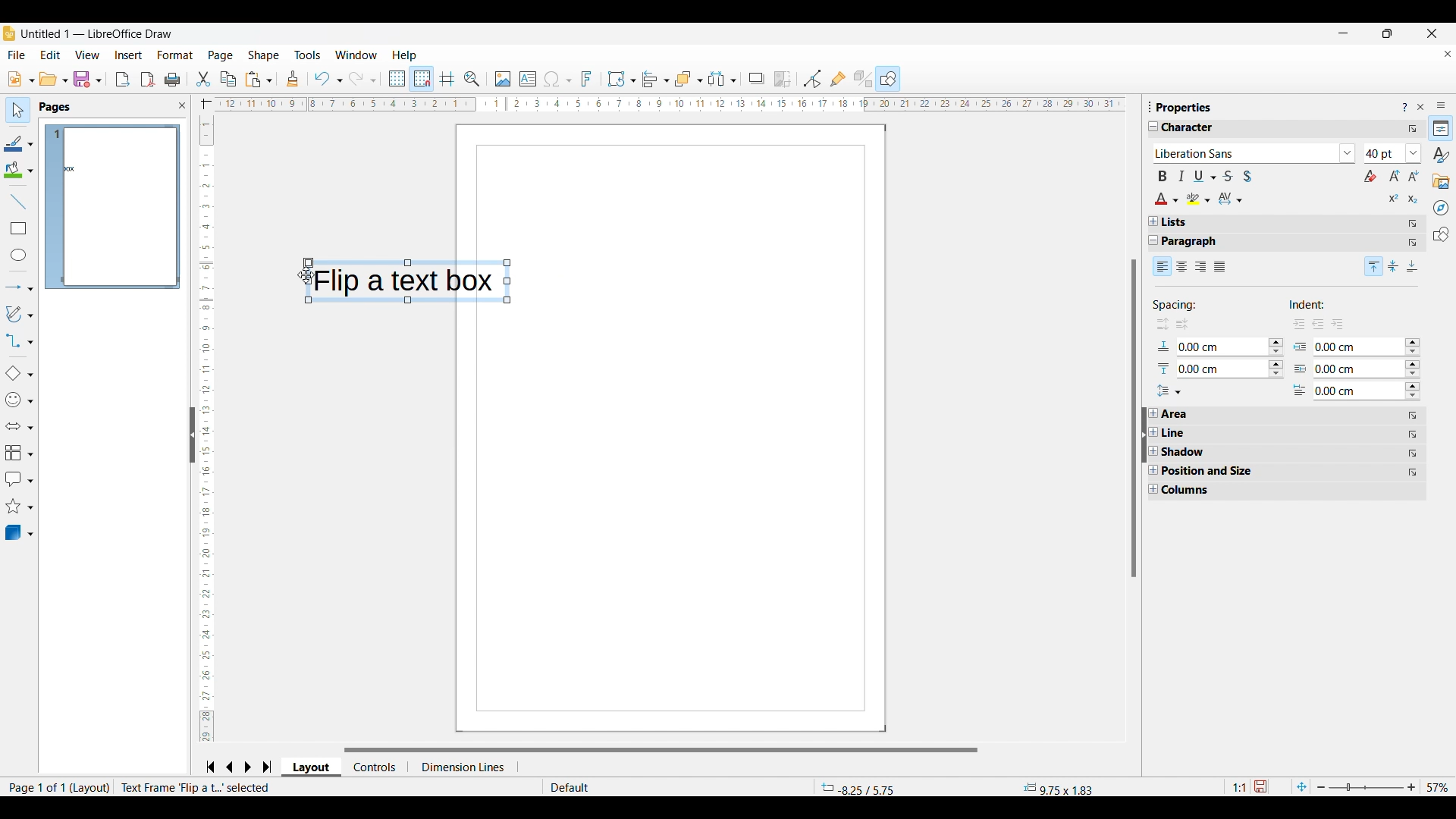 The height and width of the screenshot is (819, 1456). Describe the element at coordinates (148, 80) in the screenshot. I see `Export directly as PDF` at that location.